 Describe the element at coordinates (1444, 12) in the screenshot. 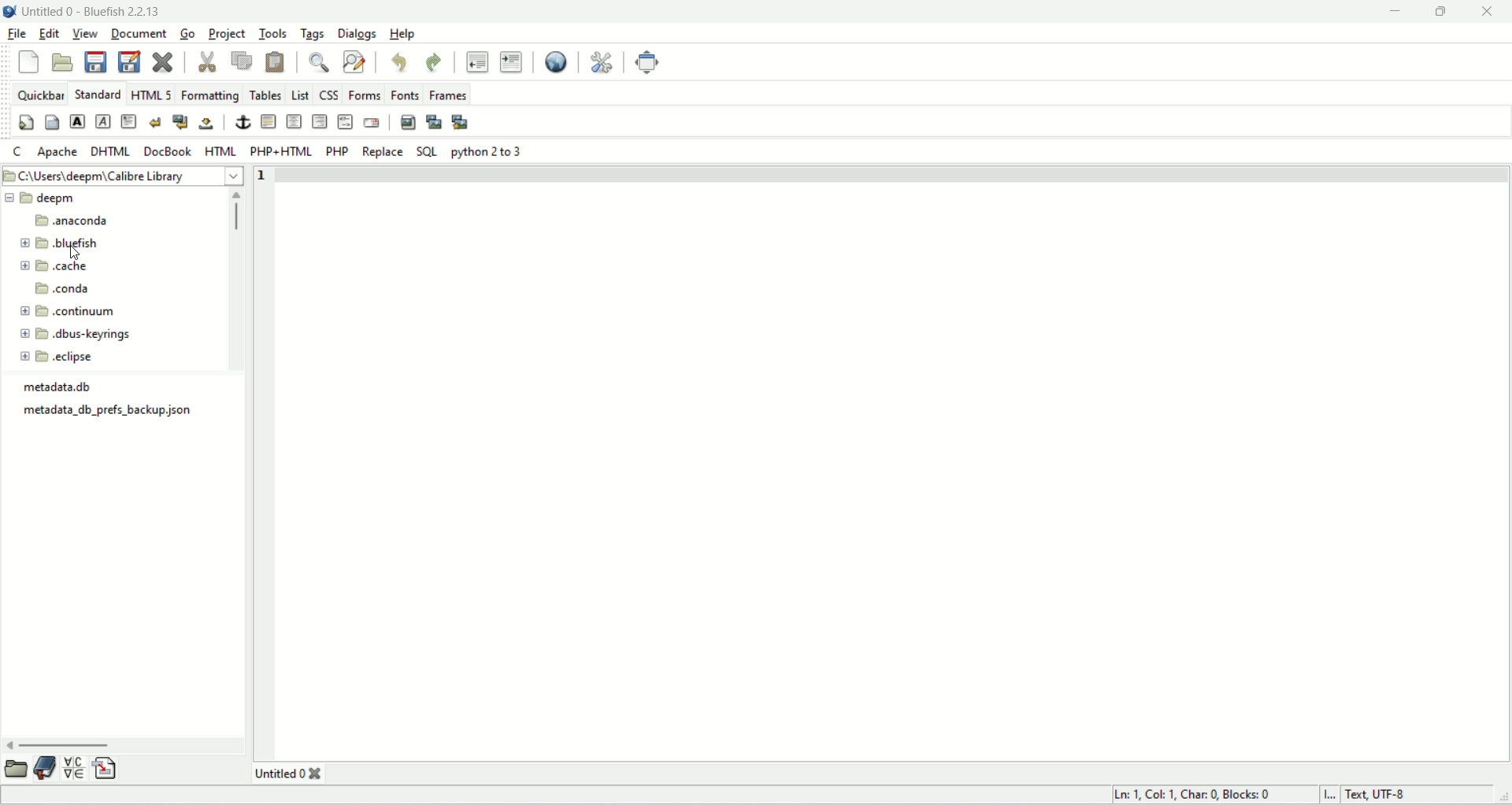

I see `maximize` at that location.